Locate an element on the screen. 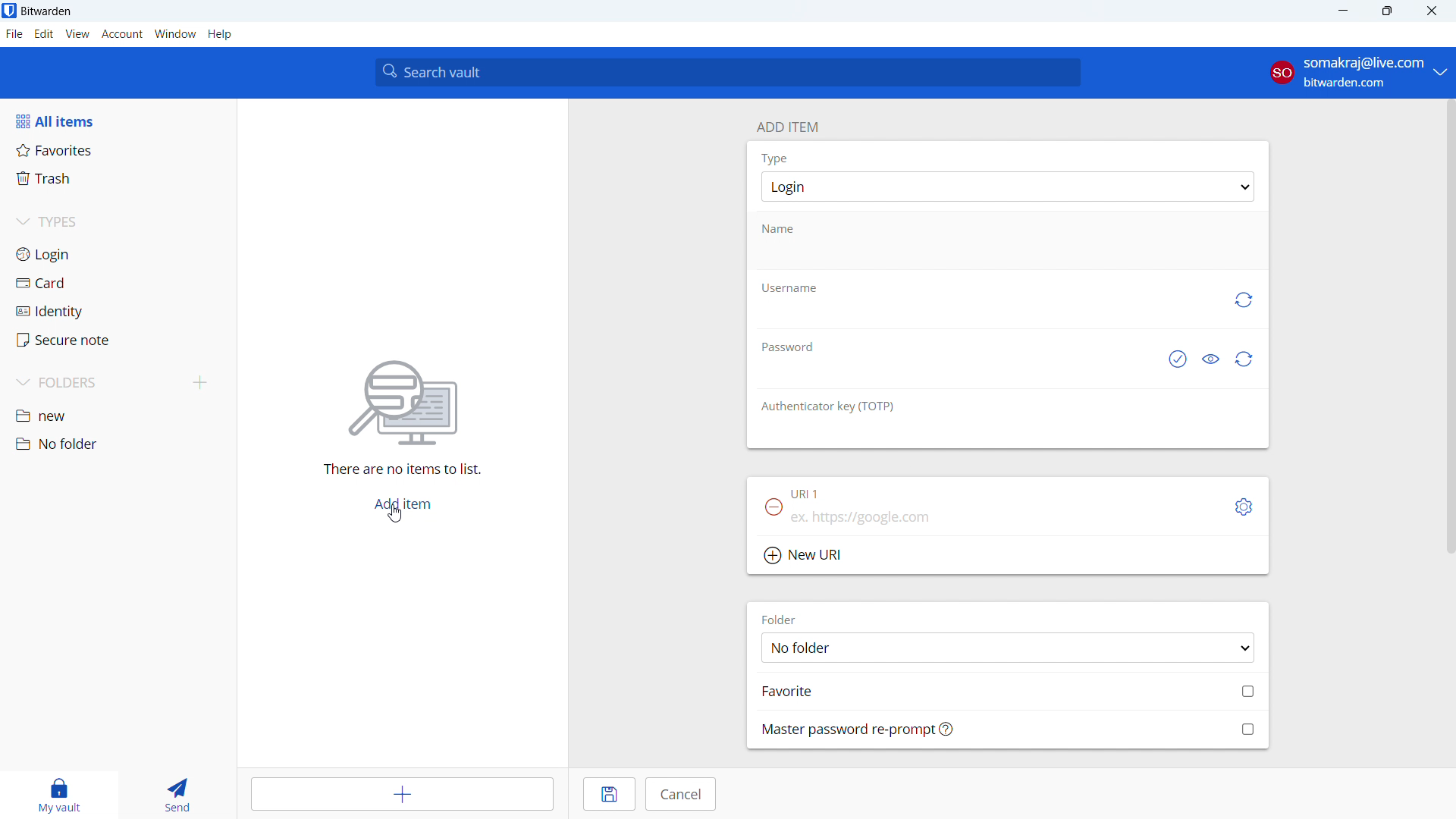 The image size is (1456, 819). select item type is located at coordinates (1008, 187).